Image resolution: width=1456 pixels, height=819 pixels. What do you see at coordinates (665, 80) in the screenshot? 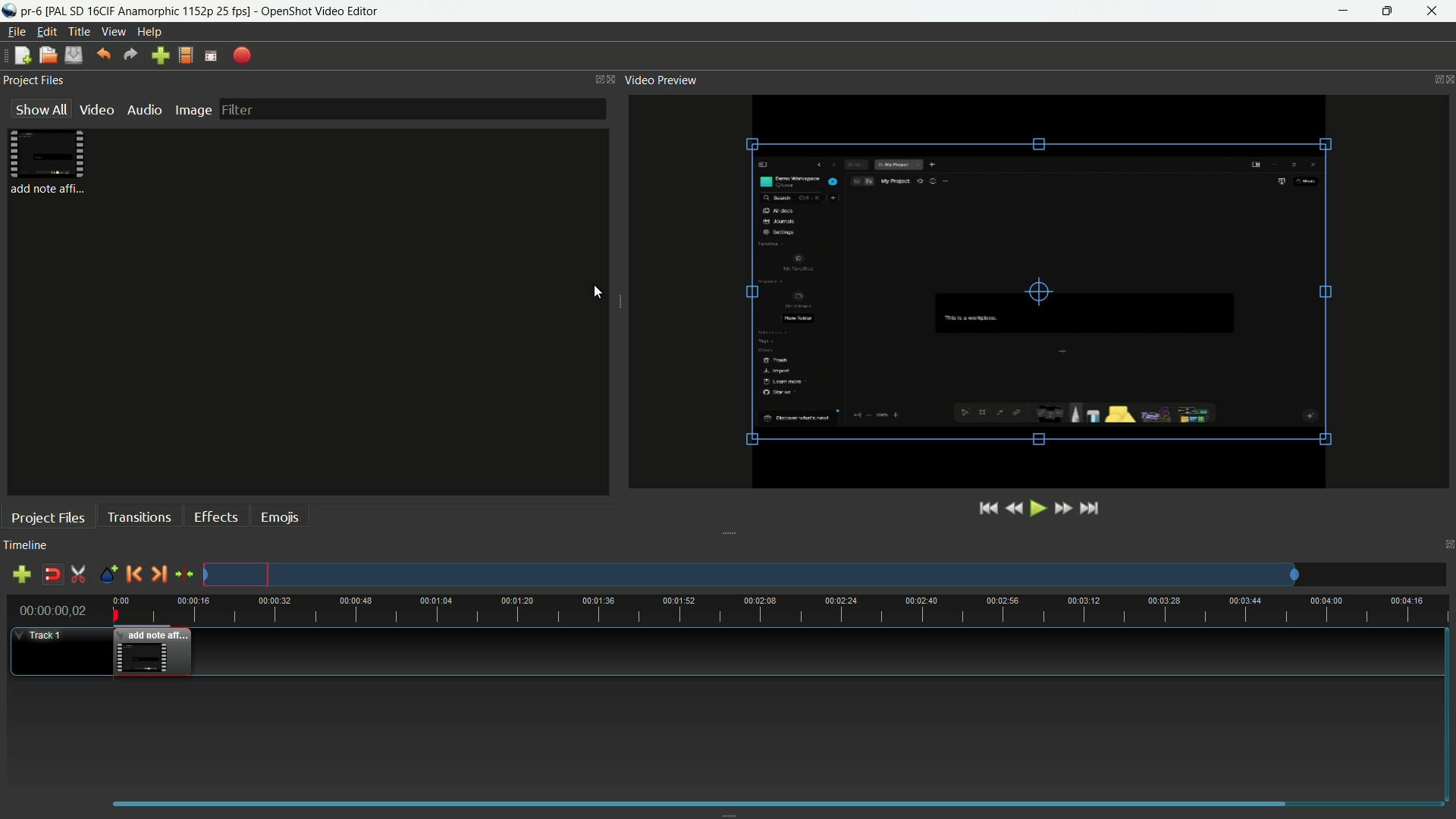
I see `video preview` at bounding box center [665, 80].